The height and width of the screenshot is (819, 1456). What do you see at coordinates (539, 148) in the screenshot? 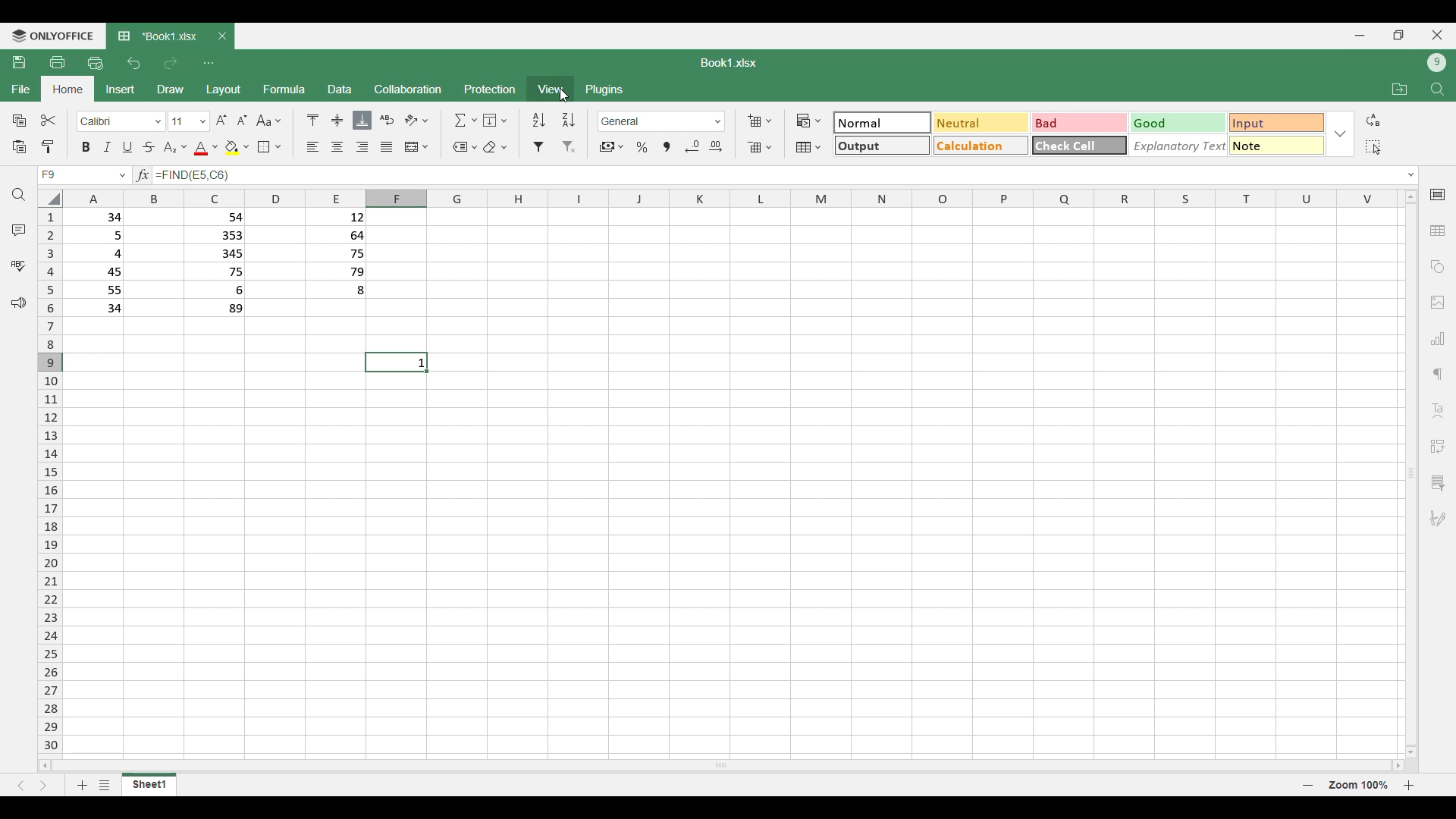
I see `Add filter` at bounding box center [539, 148].